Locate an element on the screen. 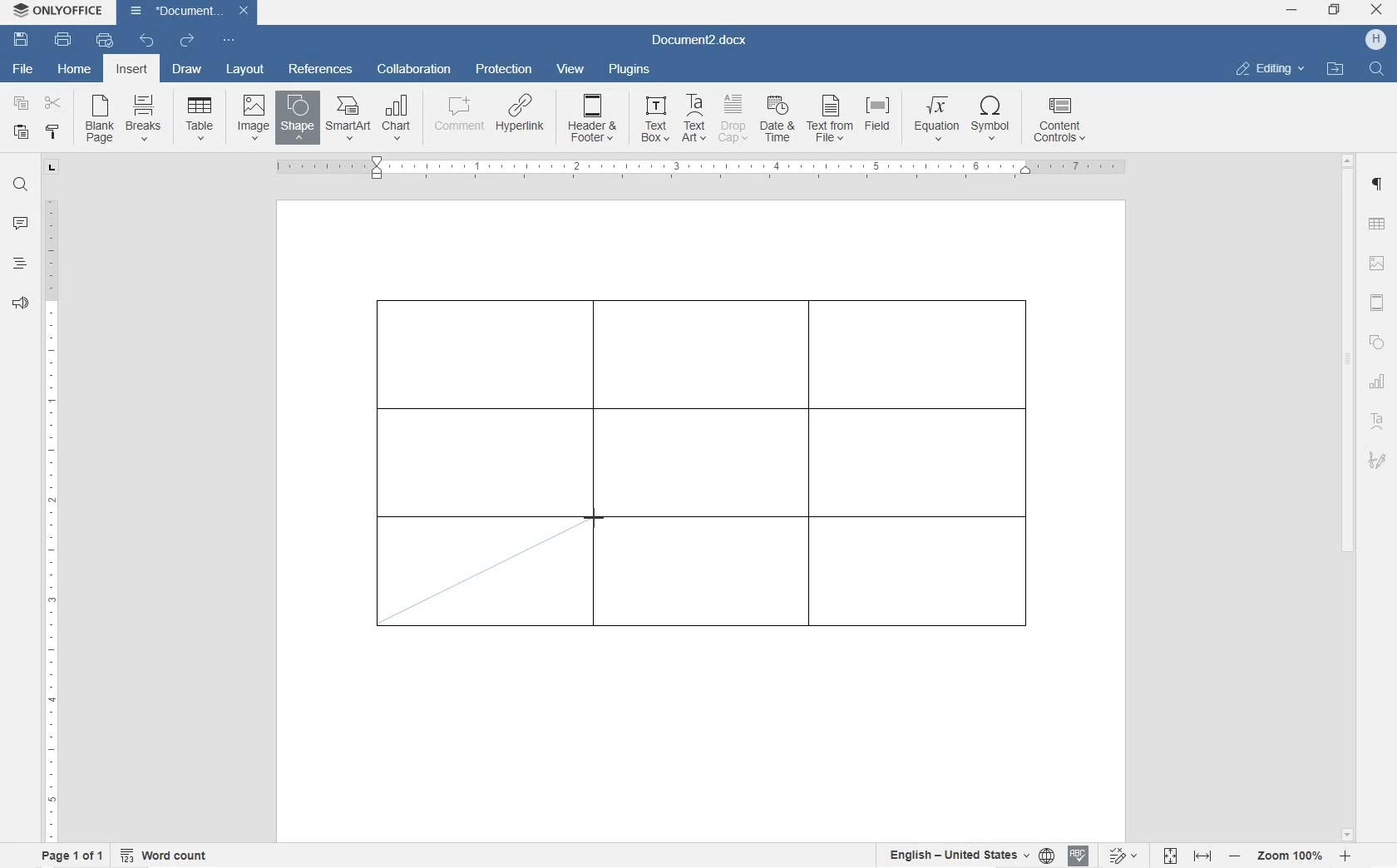  ONLYOFFICE is located at coordinates (61, 11).